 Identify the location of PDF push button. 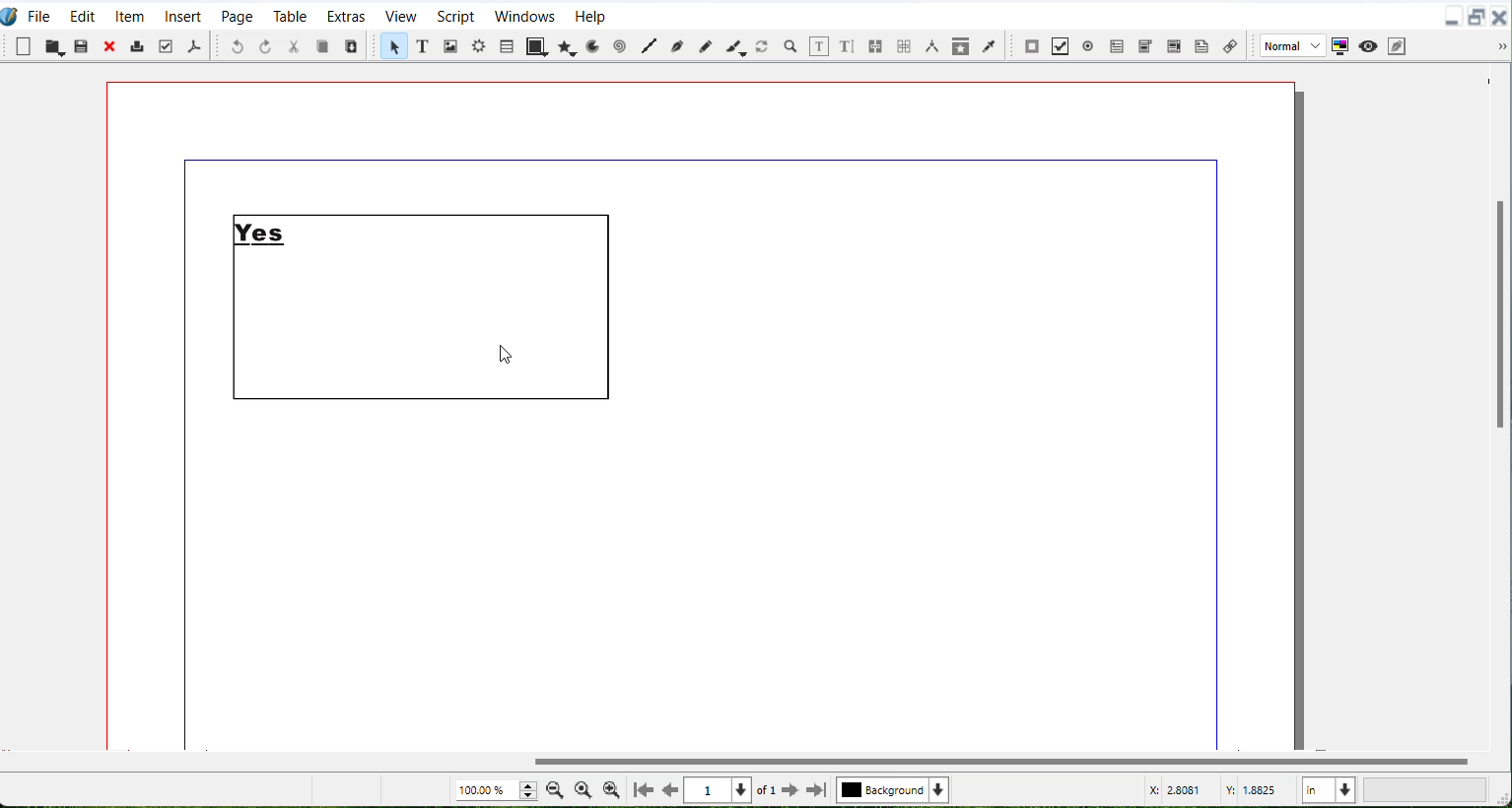
(1032, 44).